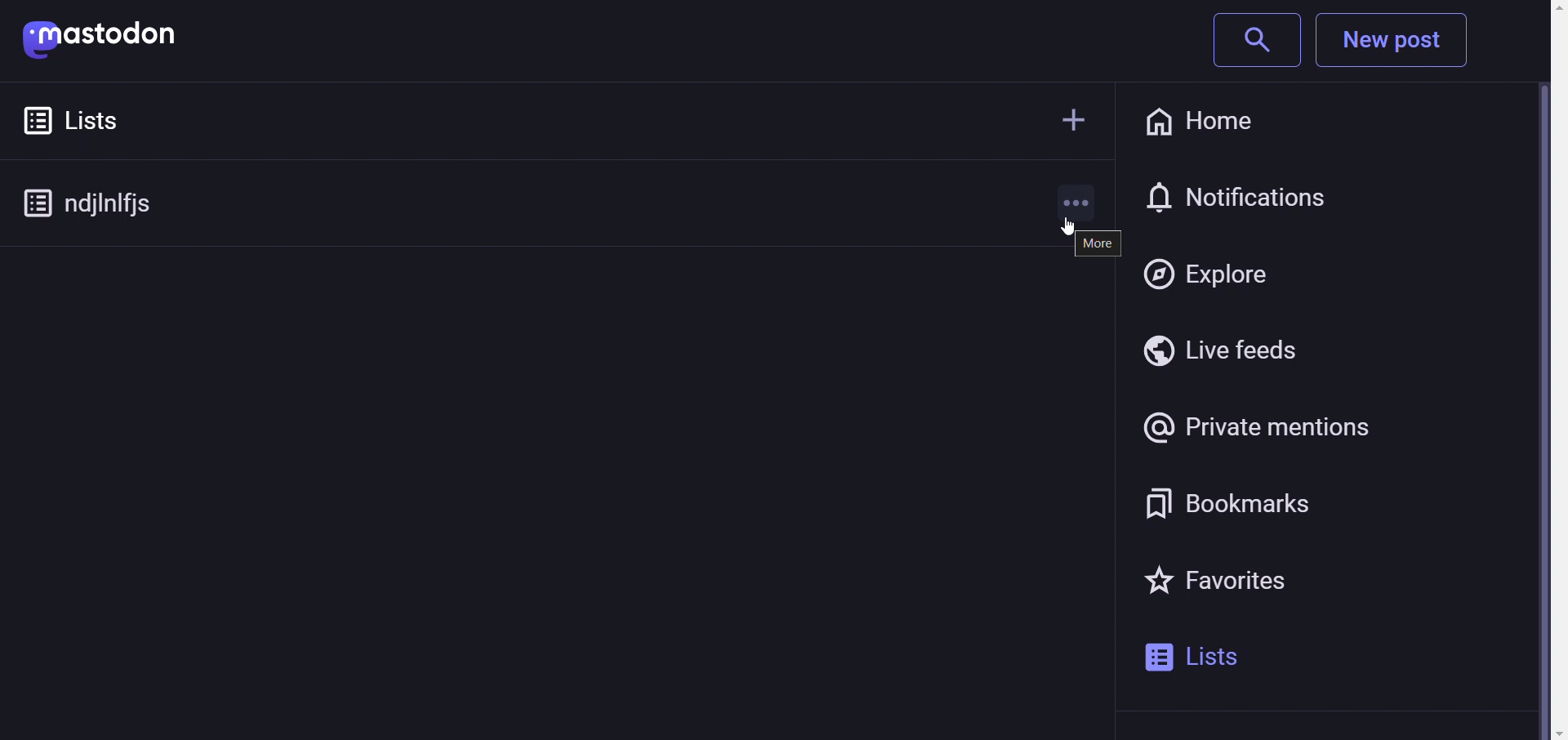 Image resolution: width=1568 pixels, height=740 pixels. Describe the element at coordinates (1396, 41) in the screenshot. I see `New Post` at that location.